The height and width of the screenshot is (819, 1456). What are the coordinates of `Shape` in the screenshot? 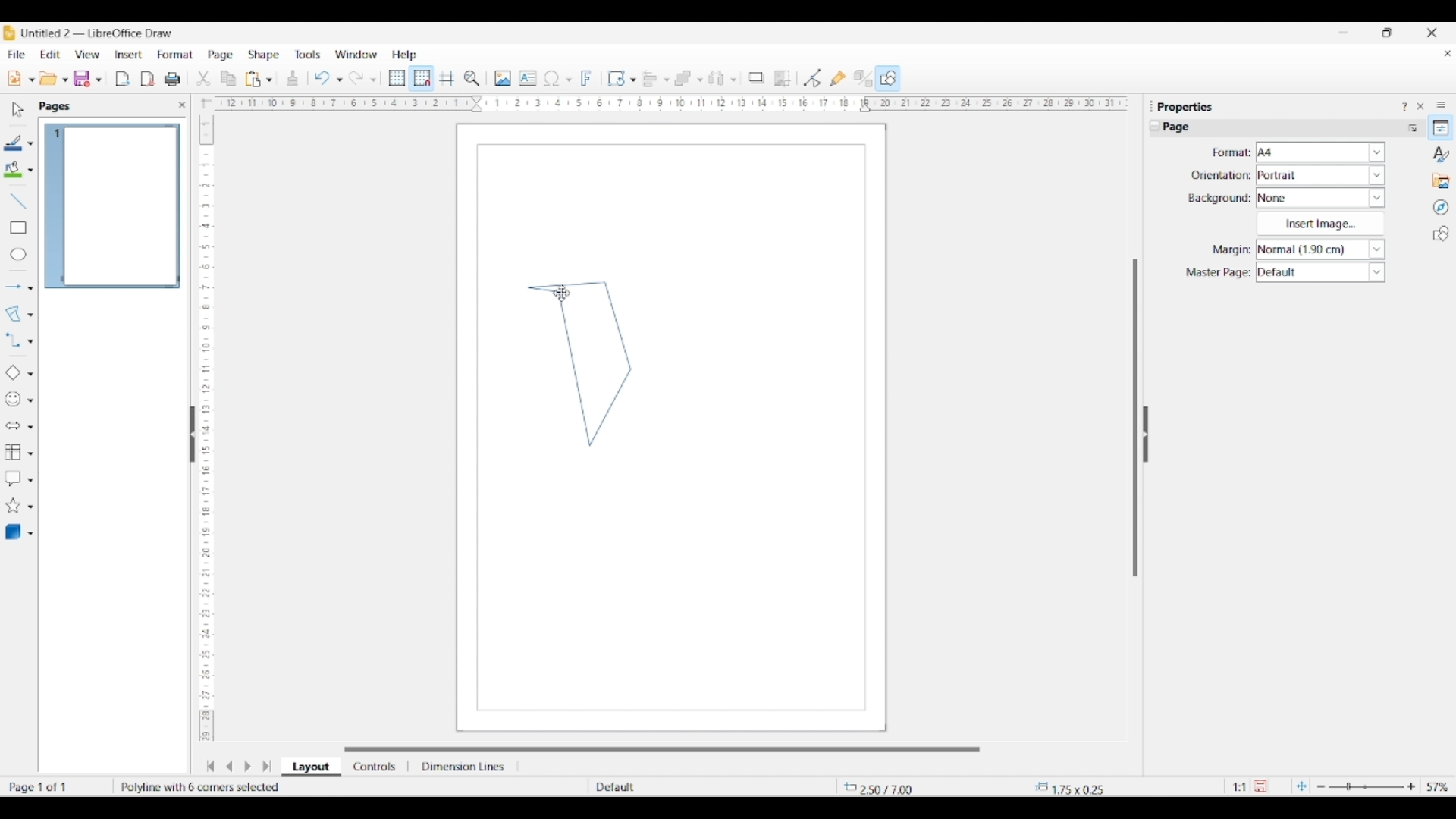 It's located at (265, 55).